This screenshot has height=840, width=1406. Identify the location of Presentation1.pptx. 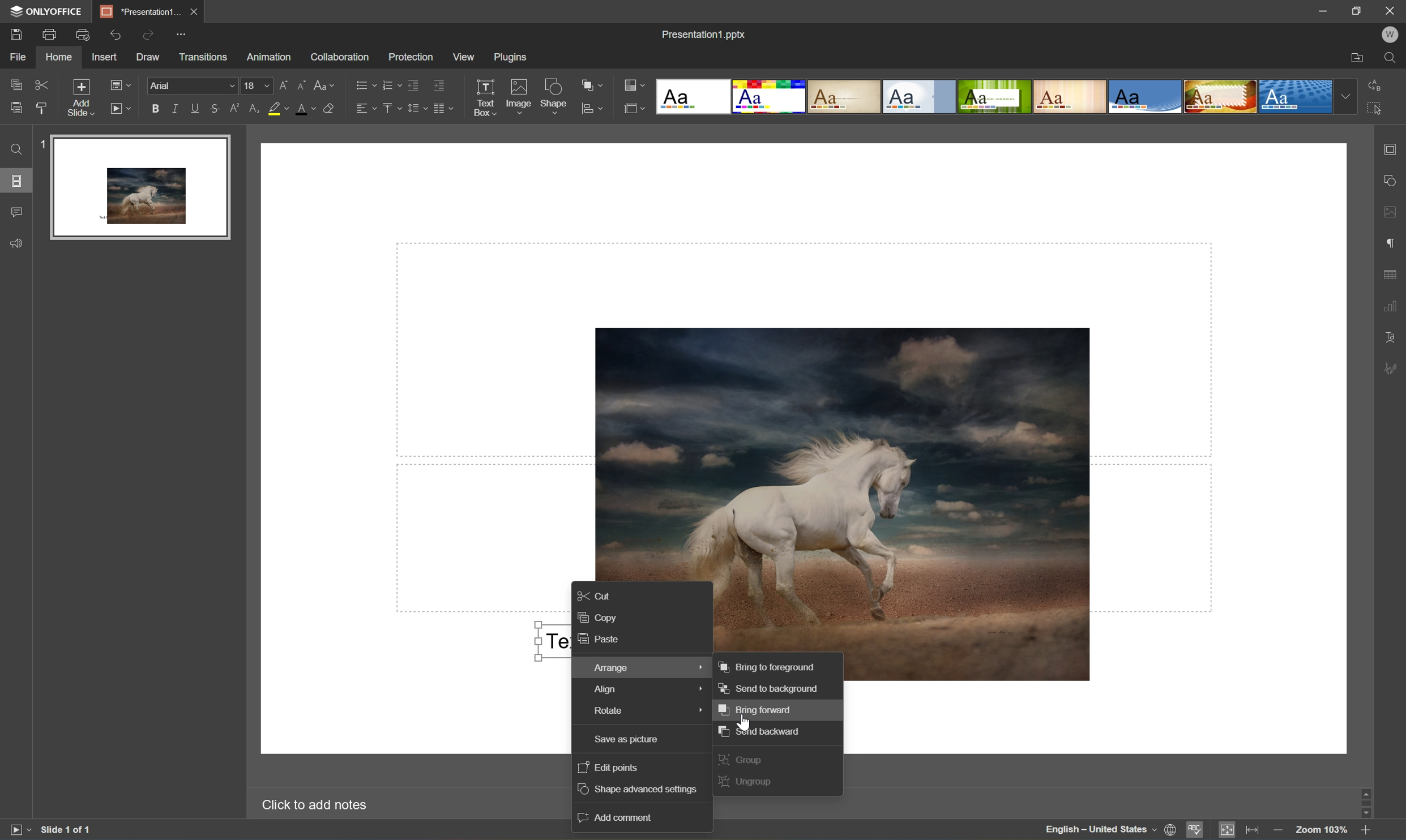
(705, 35).